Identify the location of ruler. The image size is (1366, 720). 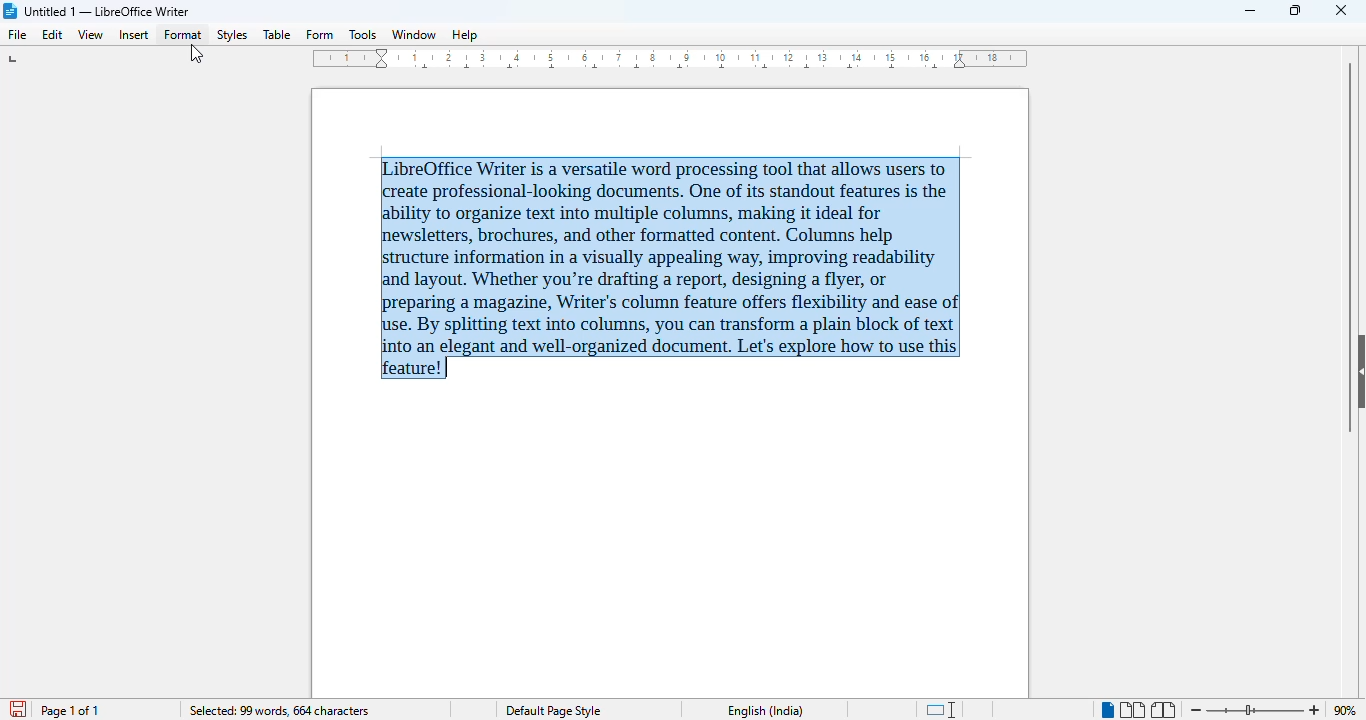
(670, 59).